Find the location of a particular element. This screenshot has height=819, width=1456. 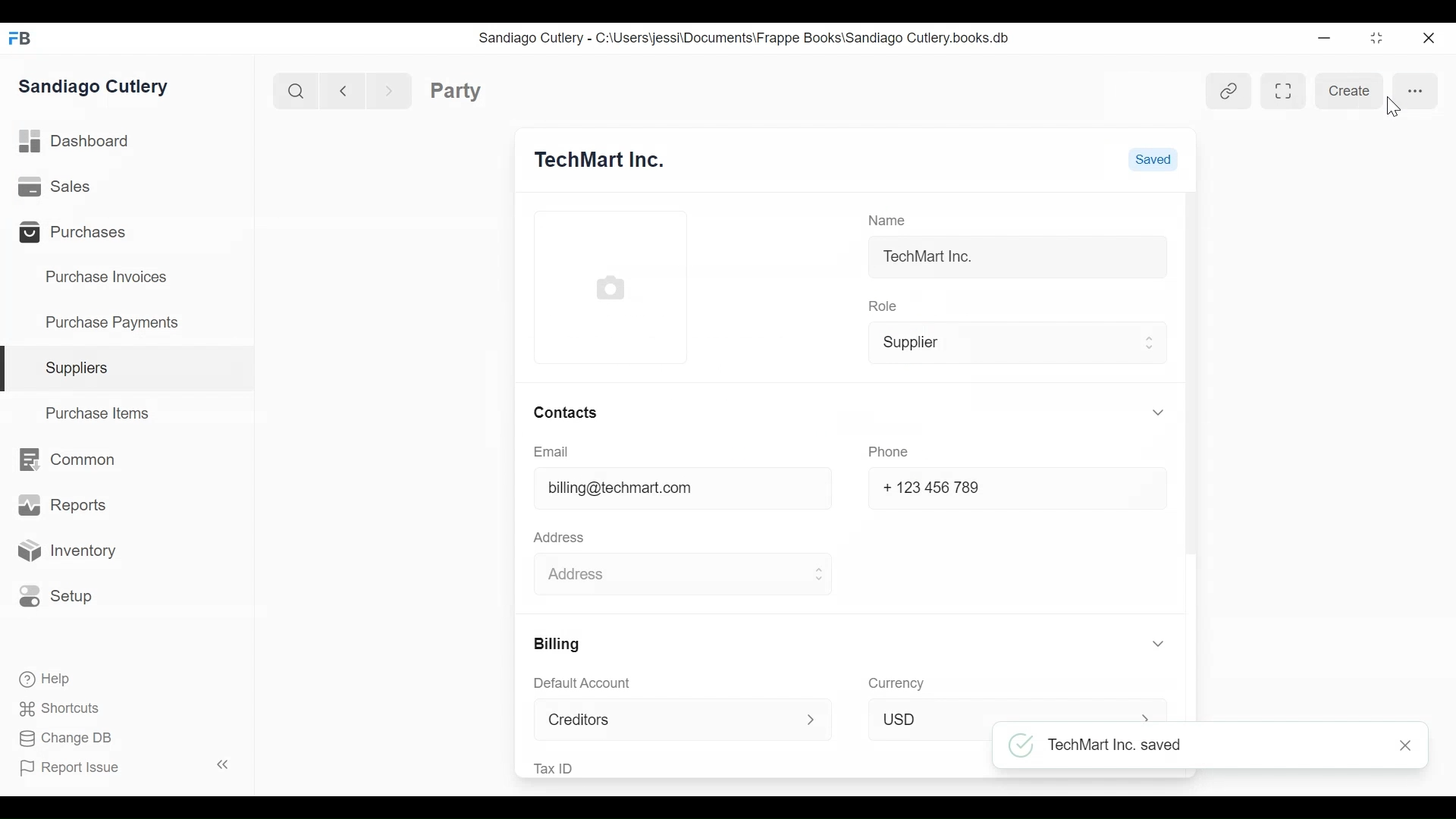

Purchase Payments is located at coordinates (118, 321).